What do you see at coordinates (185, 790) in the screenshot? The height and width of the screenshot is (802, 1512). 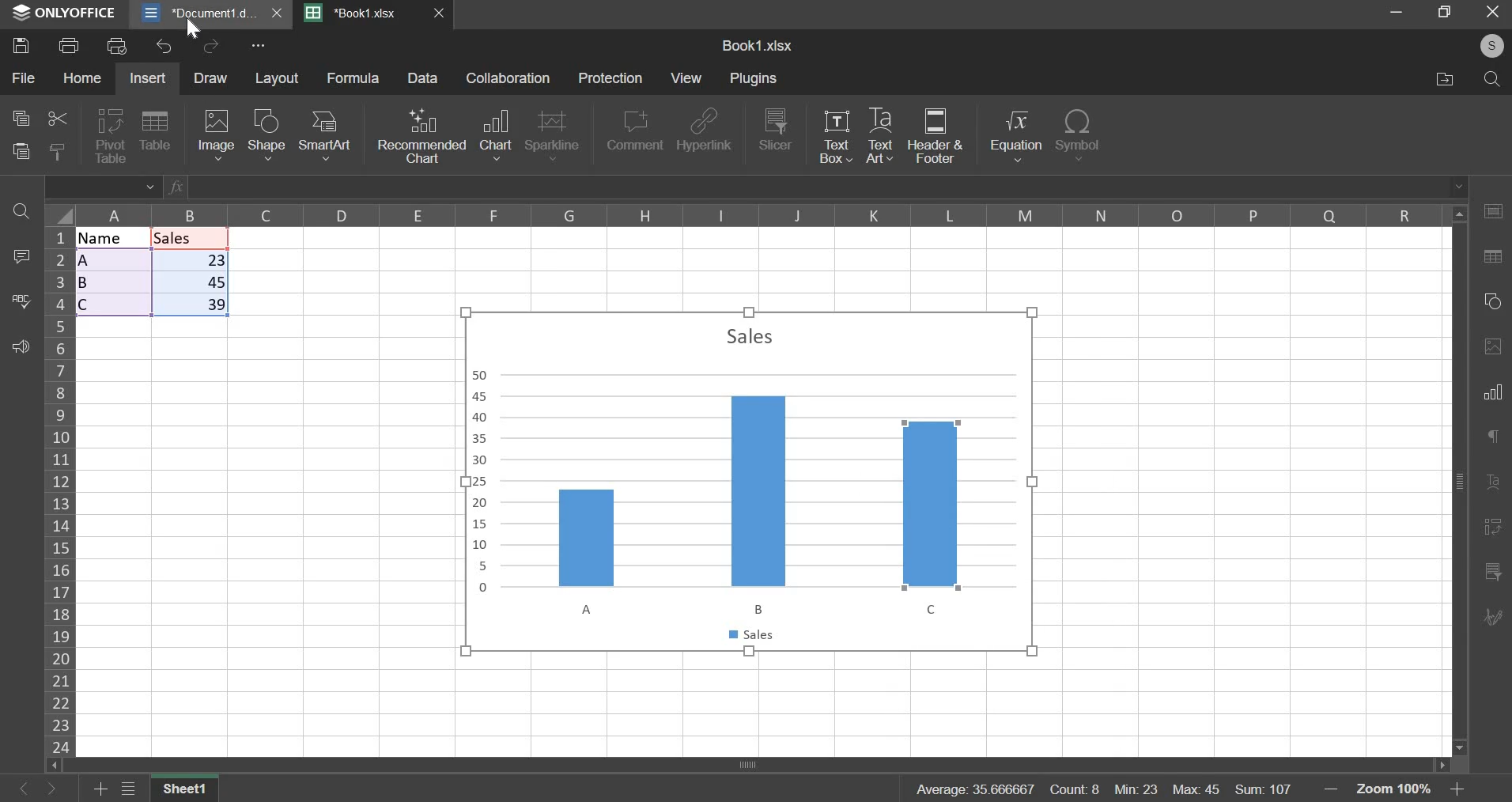 I see `sheet 1` at bounding box center [185, 790].